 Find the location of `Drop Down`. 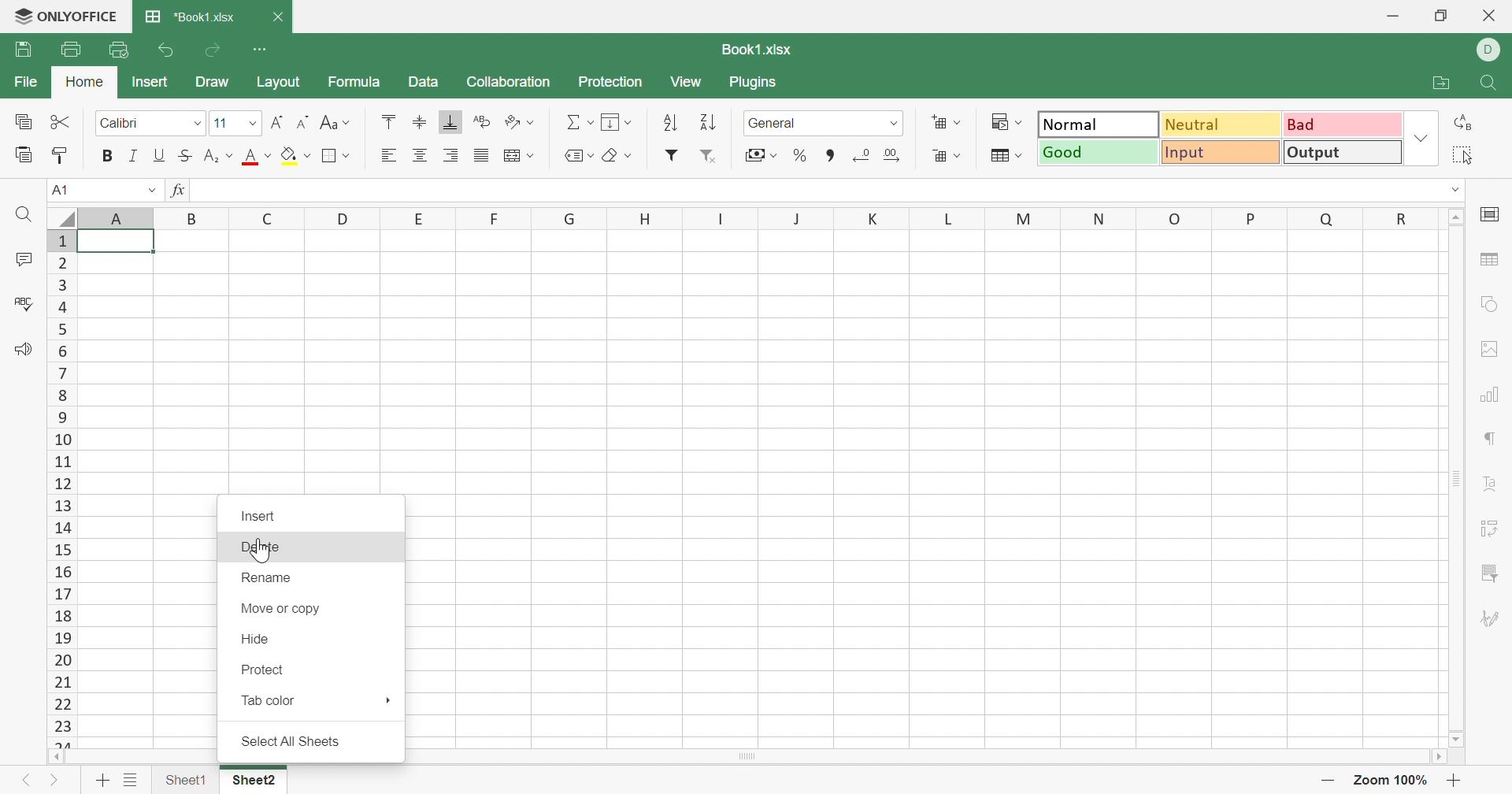

Drop Down is located at coordinates (533, 155).